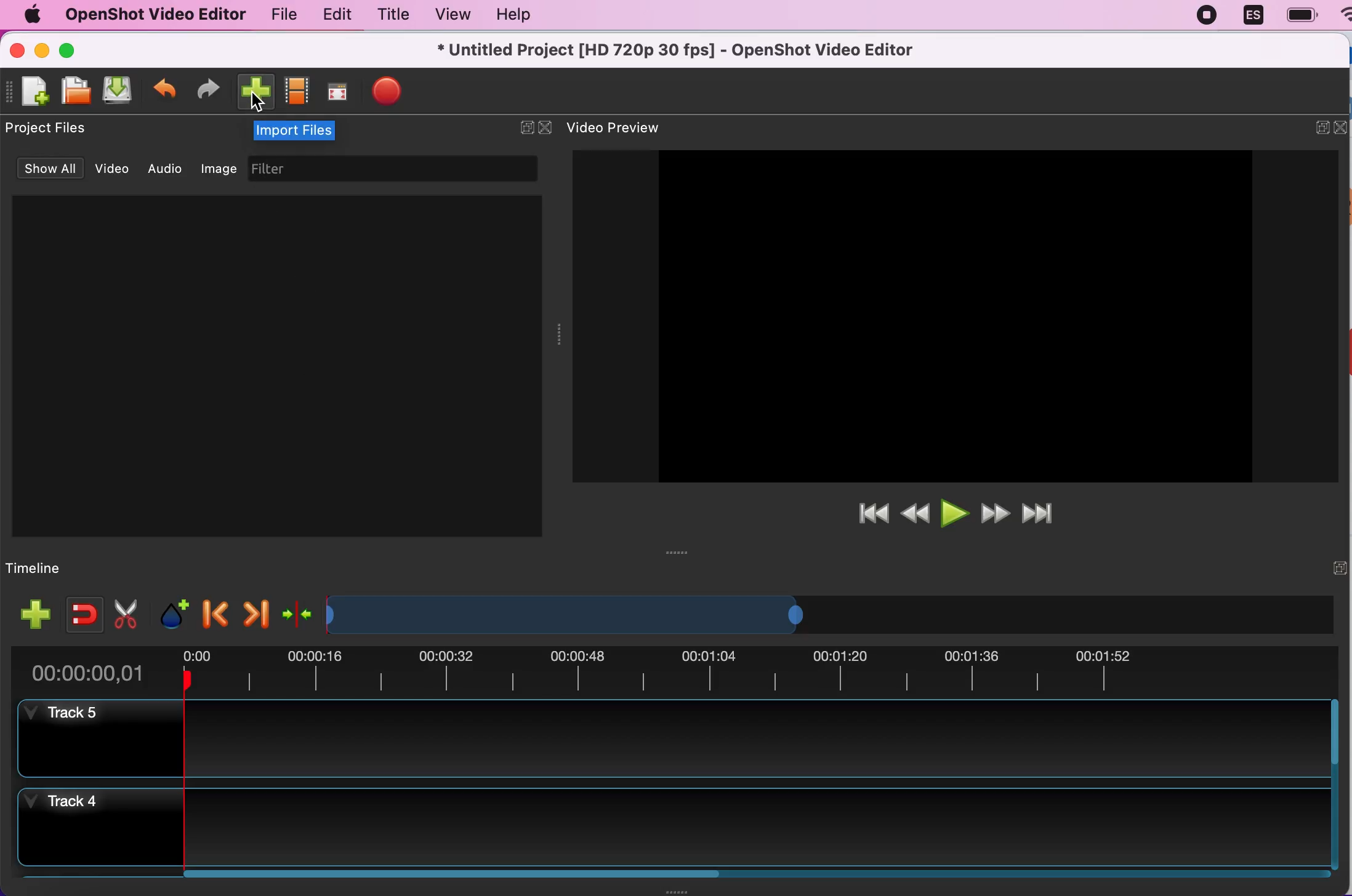  I want to click on file, so click(281, 15).